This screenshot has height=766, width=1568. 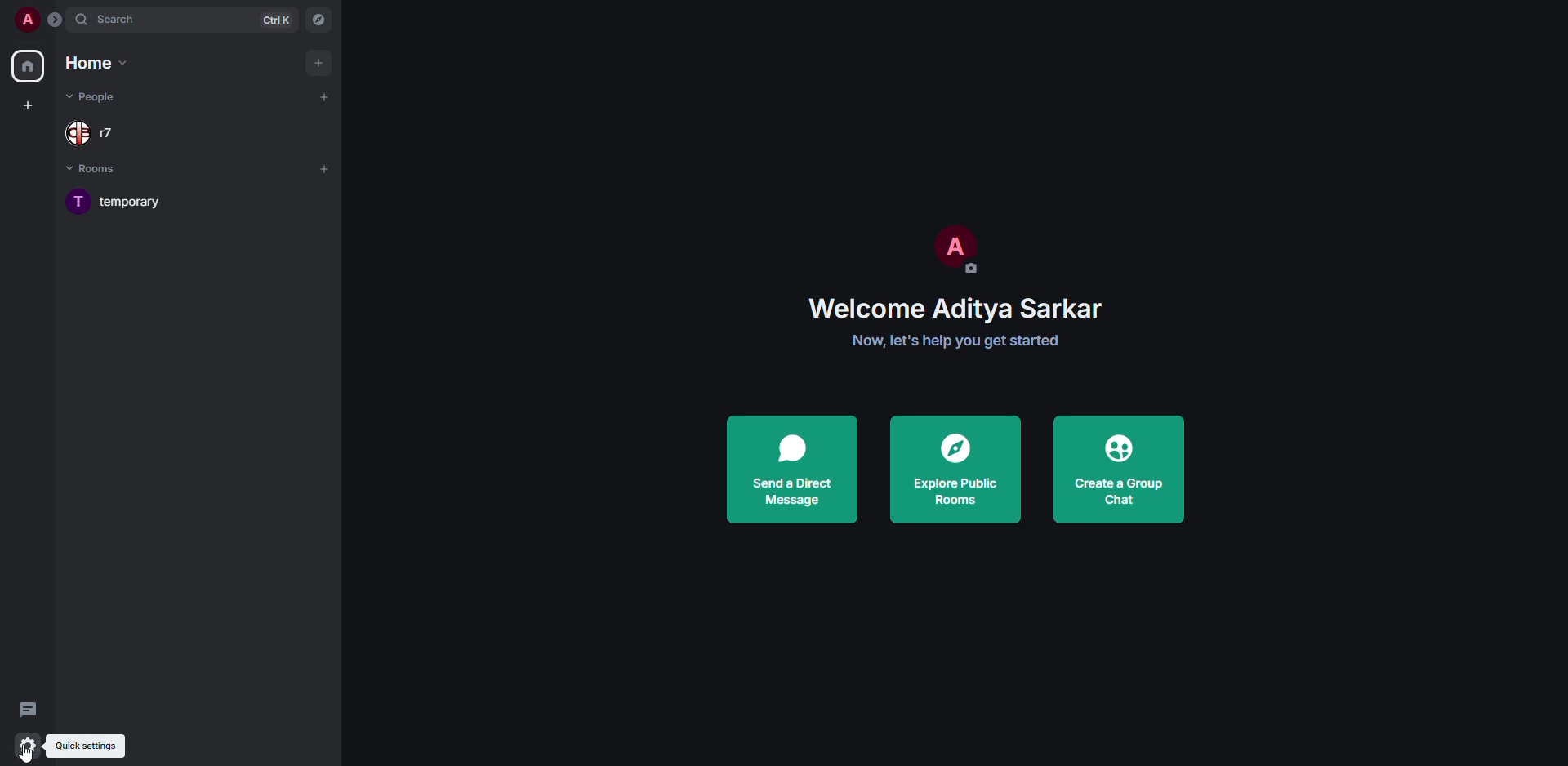 What do you see at coordinates (98, 62) in the screenshot?
I see `home` at bounding box center [98, 62].